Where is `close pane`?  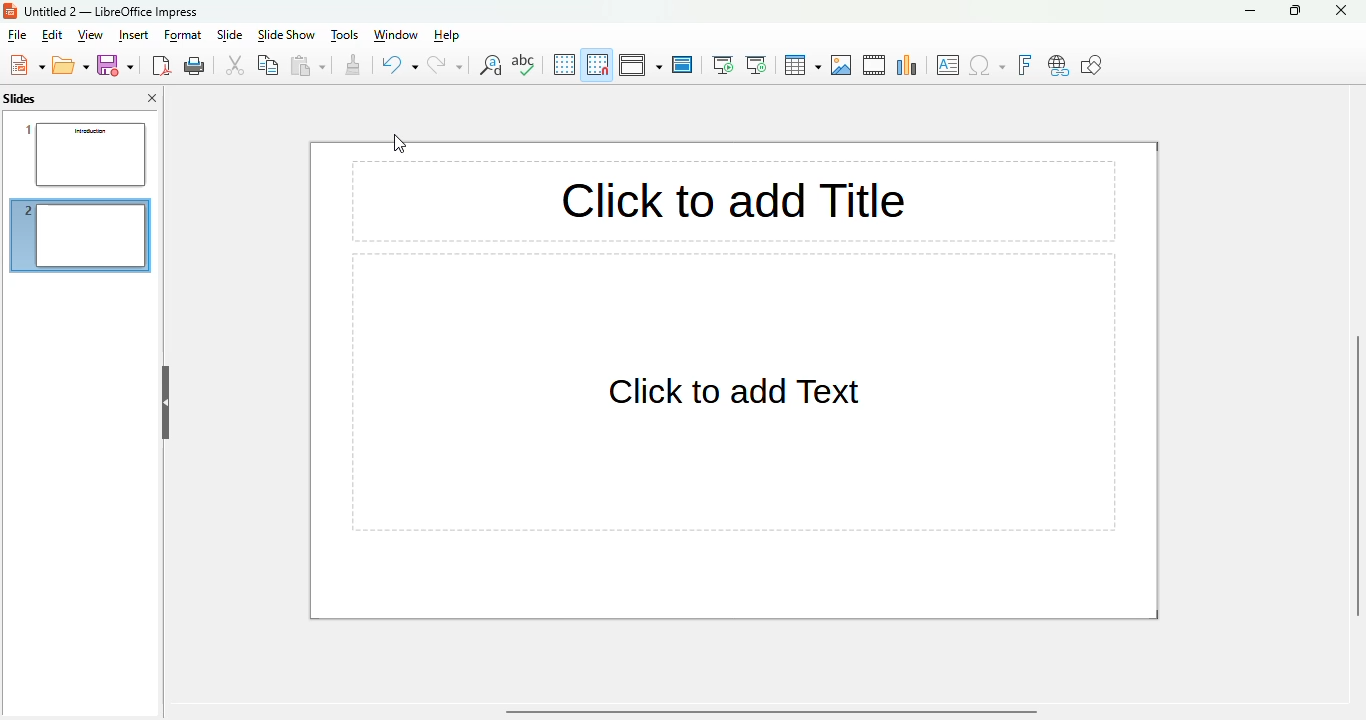
close pane is located at coordinates (152, 97).